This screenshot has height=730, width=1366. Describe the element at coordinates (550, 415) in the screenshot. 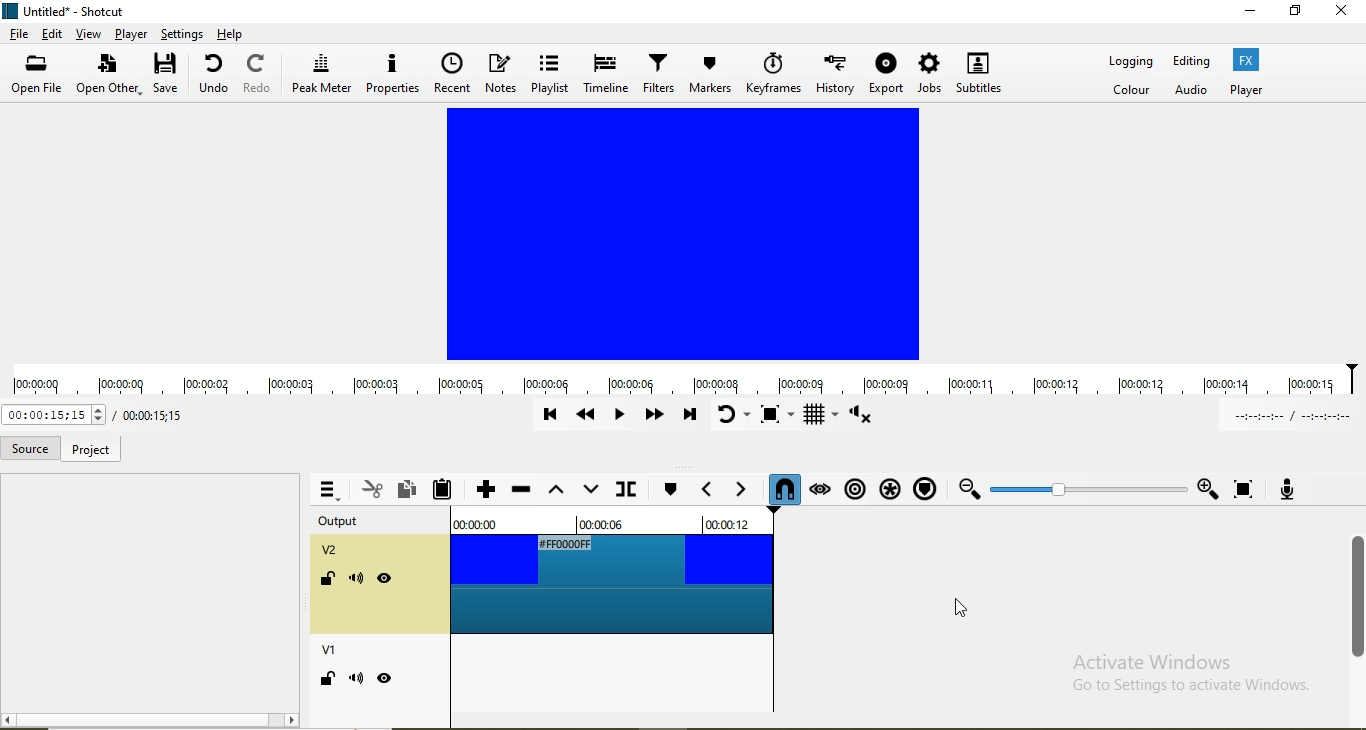

I see `Skip to previous` at that location.